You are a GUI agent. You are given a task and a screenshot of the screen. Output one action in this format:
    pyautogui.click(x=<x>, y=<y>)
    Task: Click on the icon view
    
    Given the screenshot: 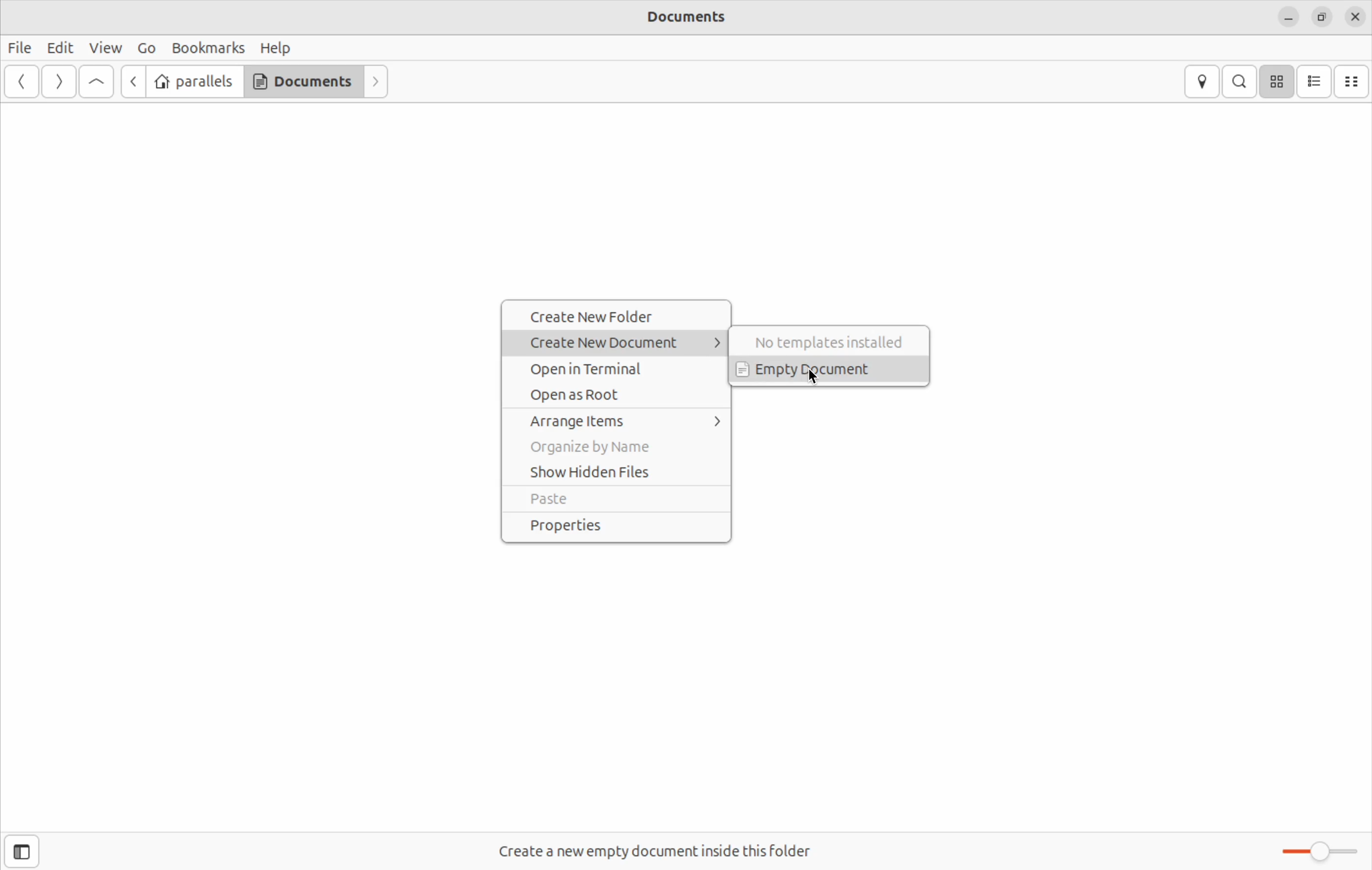 What is the action you would take?
    pyautogui.click(x=1276, y=81)
    